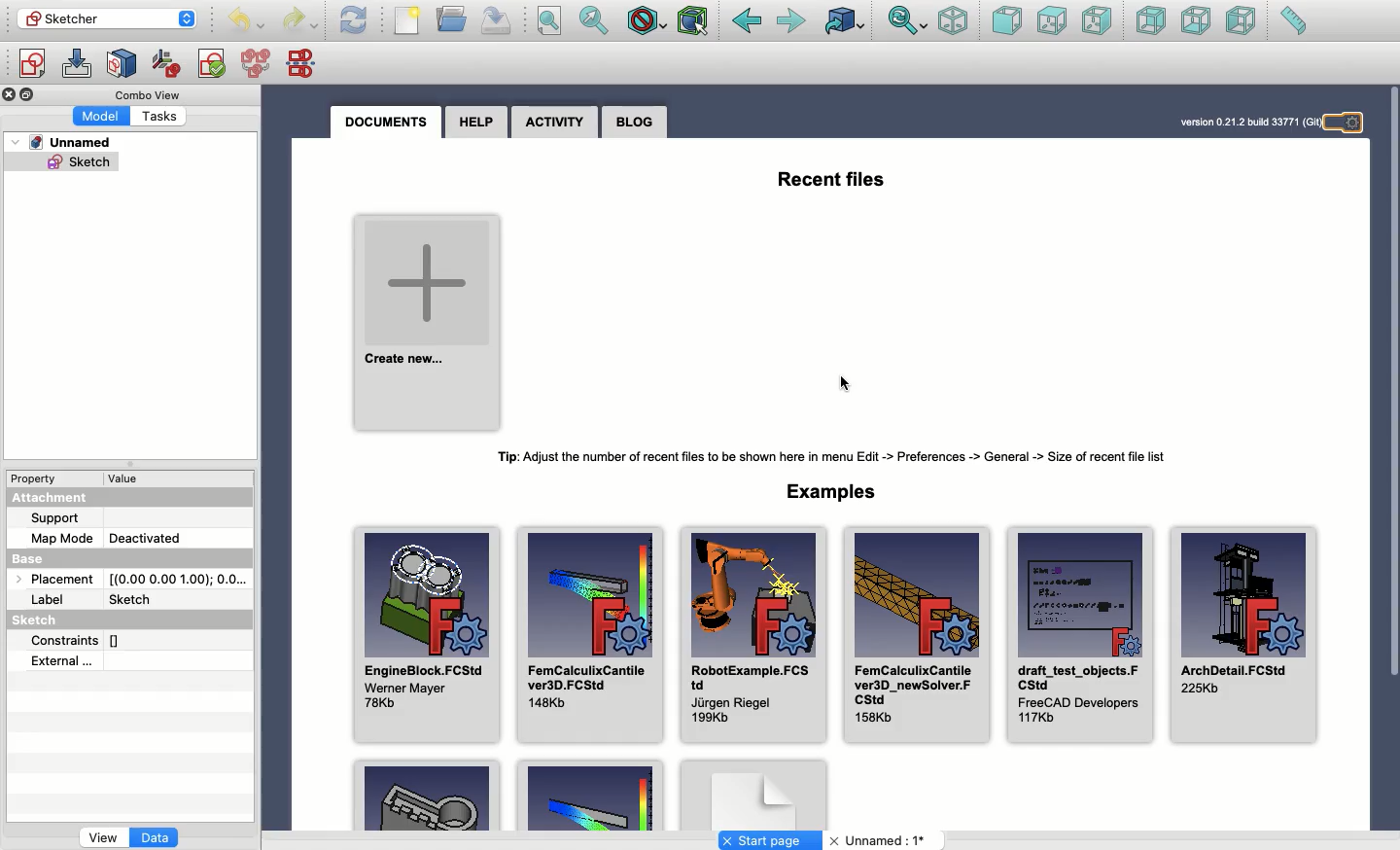 The width and height of the screenshot is (1400, 850). What do you see at coordinates (497, 19) in the screenshot?
I see `Save` at bounding box center [497, 19].